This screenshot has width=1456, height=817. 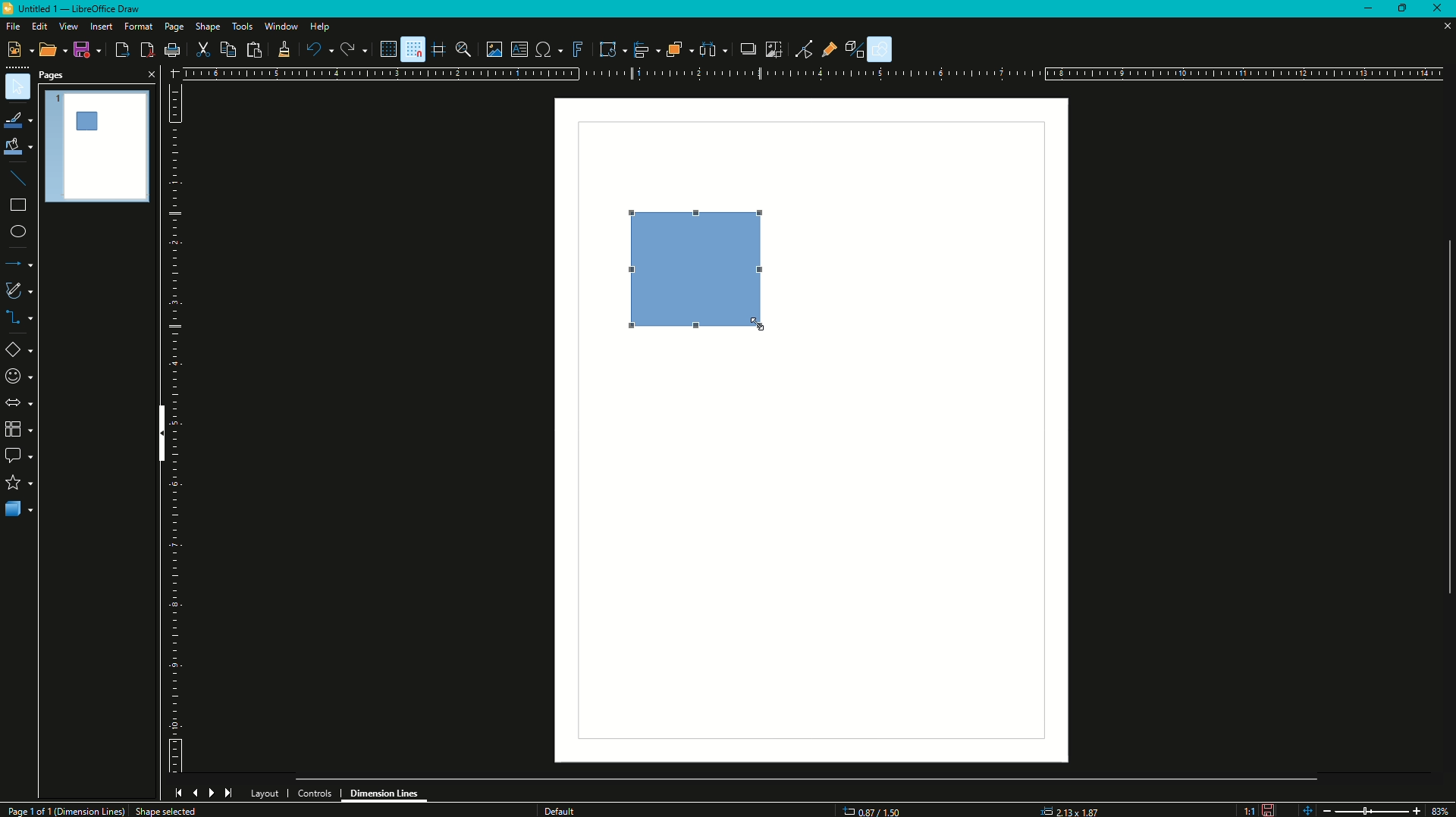 I want to click on Tools, so click(x=242, y=26).